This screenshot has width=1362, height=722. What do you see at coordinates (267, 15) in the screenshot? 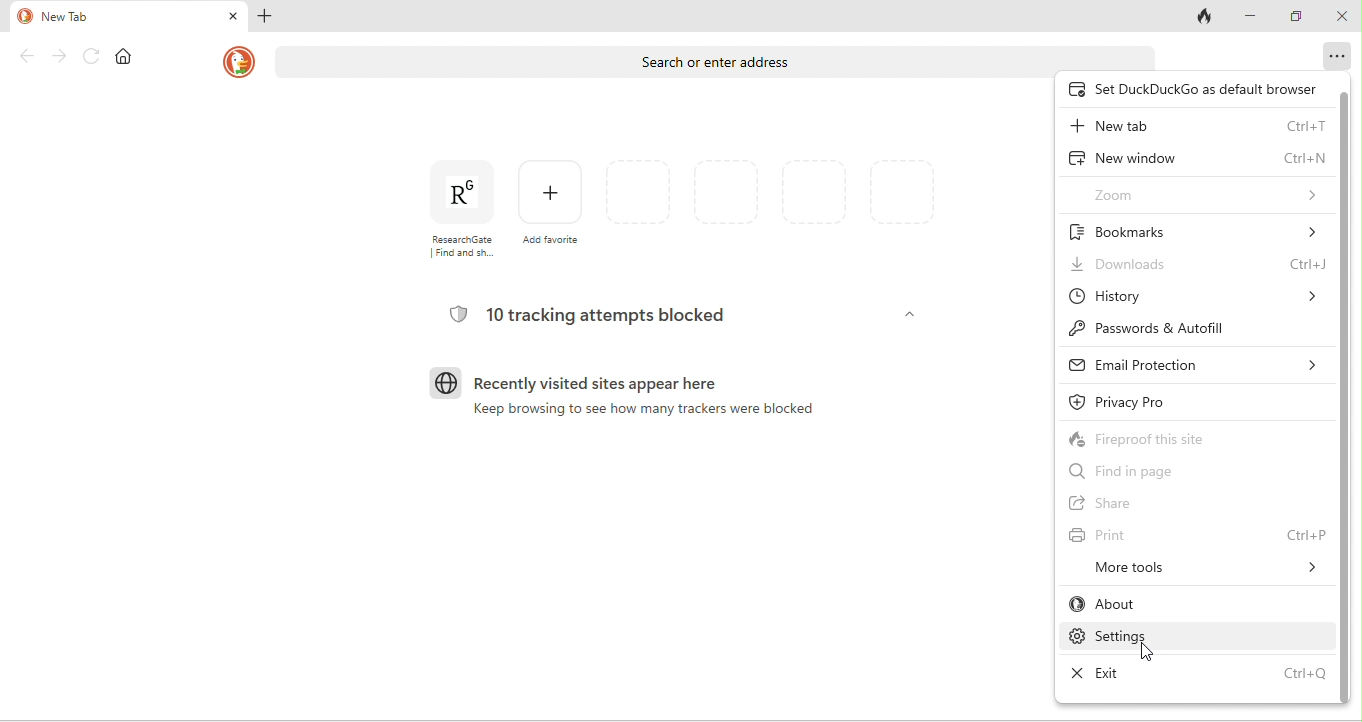
I see `add tab` at bounding box center [267, 15].